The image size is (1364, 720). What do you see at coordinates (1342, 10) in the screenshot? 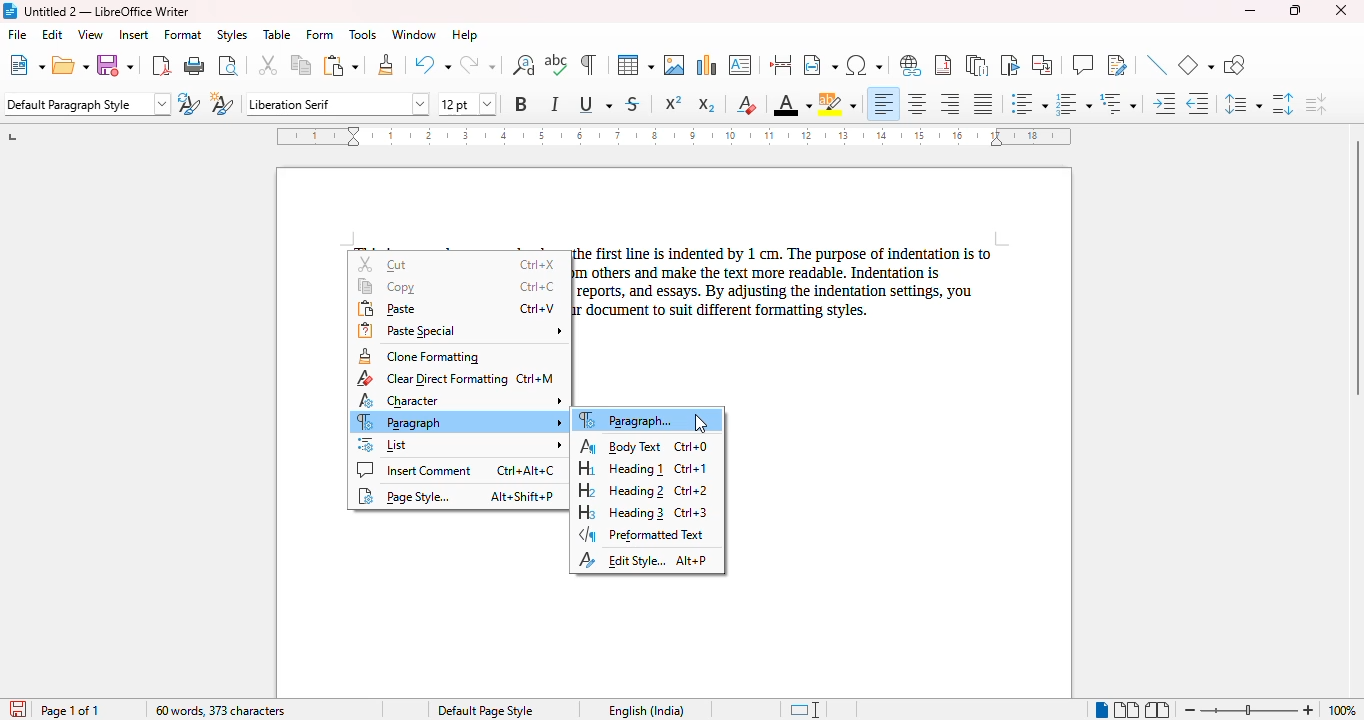
I see `close` at bounding box center [1342, 10].